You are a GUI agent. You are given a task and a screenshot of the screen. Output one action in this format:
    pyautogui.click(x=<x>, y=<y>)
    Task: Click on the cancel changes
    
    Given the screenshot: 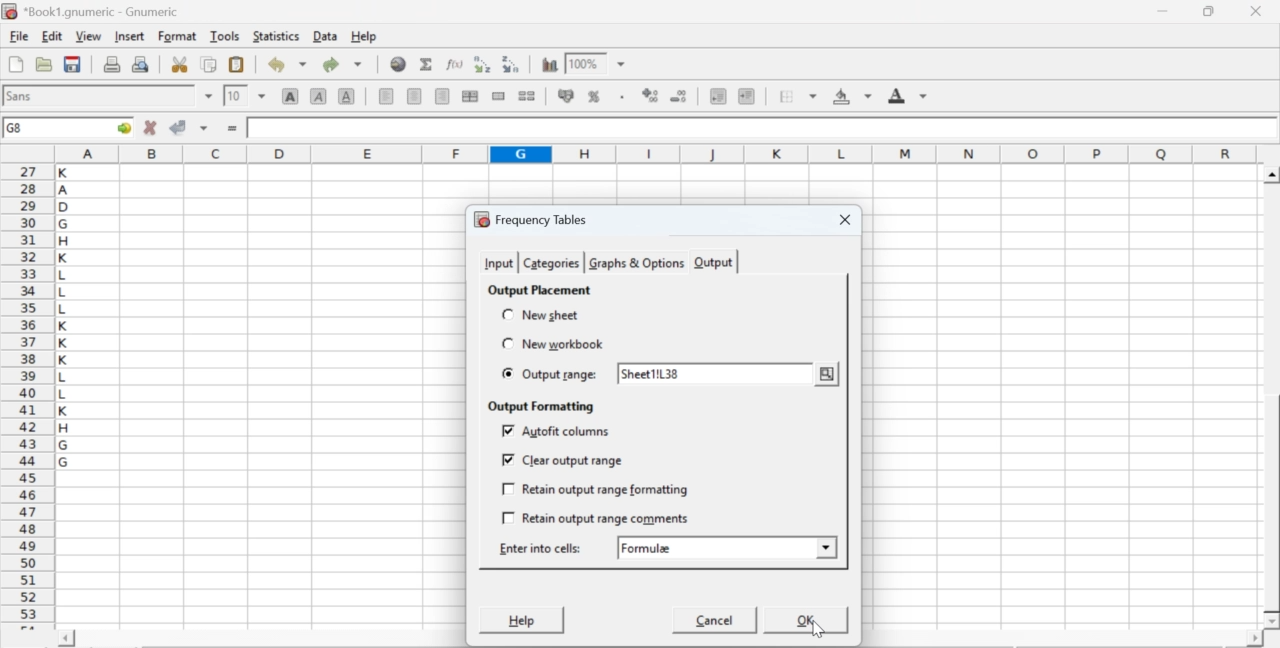 What is the action you would take?
    pyautogui.click(x=151, y=127)
    